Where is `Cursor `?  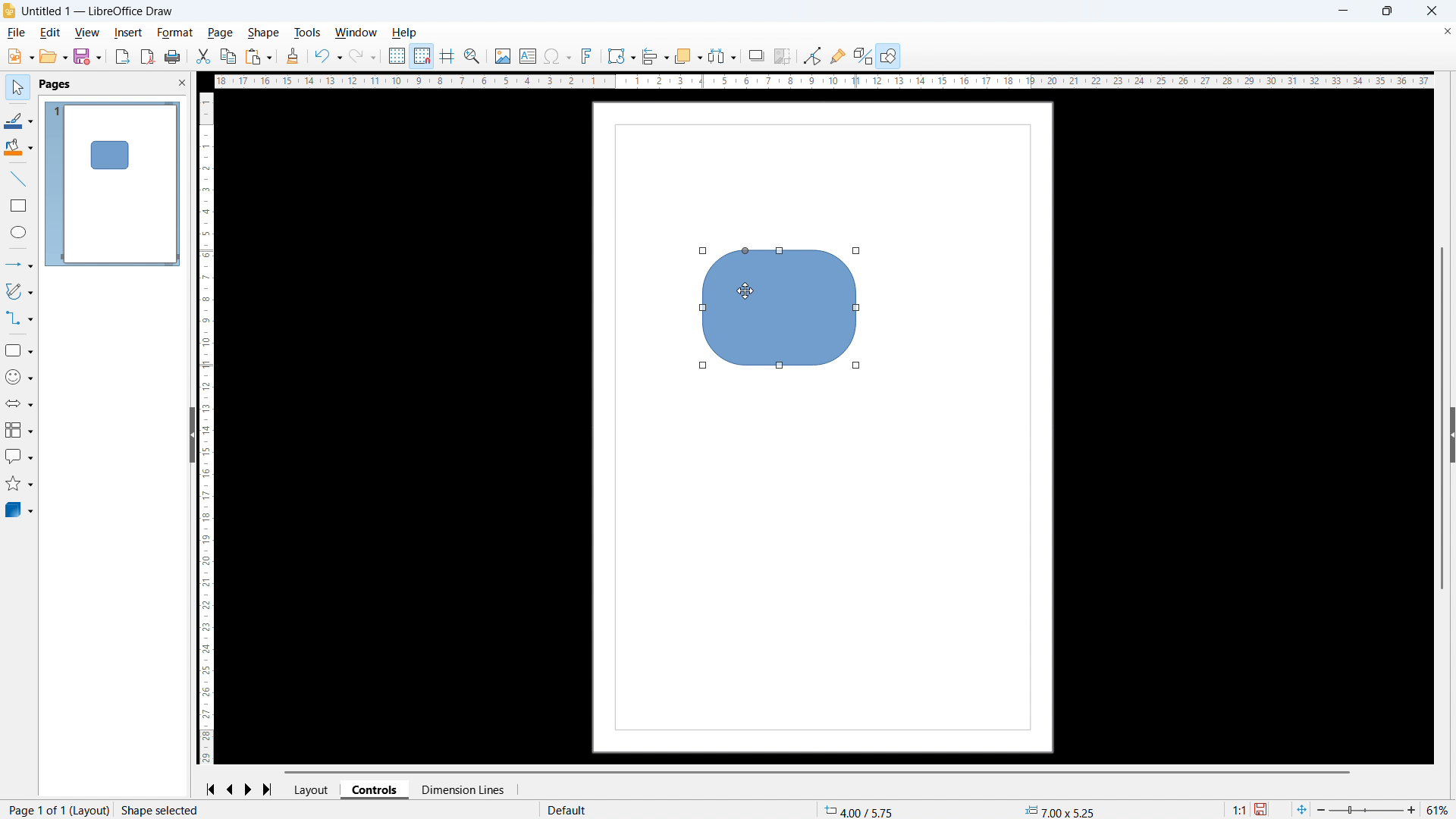
Cursor  is located at coordinates (746, 291).